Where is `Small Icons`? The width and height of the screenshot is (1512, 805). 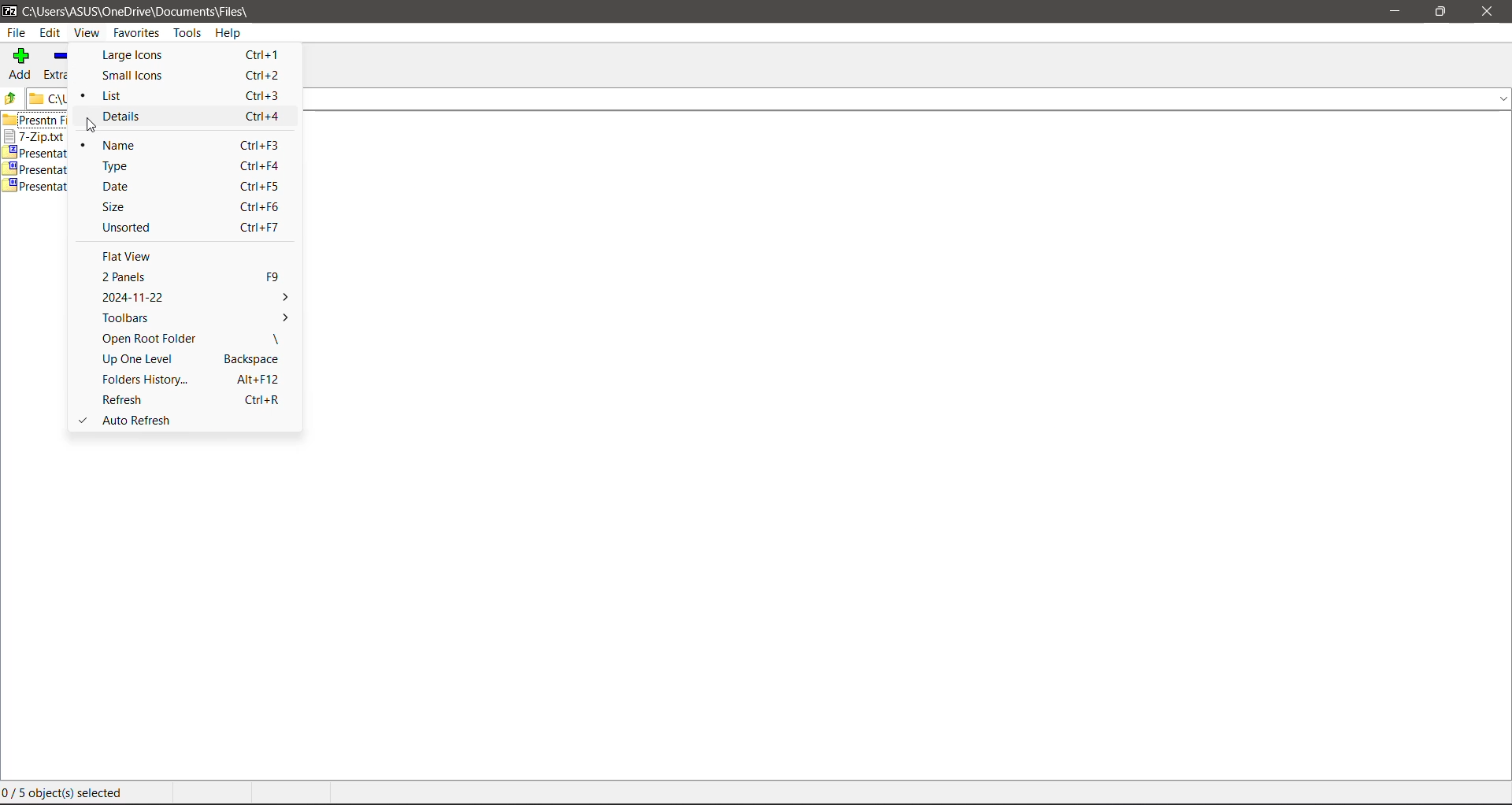 Small Icons is located at coordinates (187, 75).